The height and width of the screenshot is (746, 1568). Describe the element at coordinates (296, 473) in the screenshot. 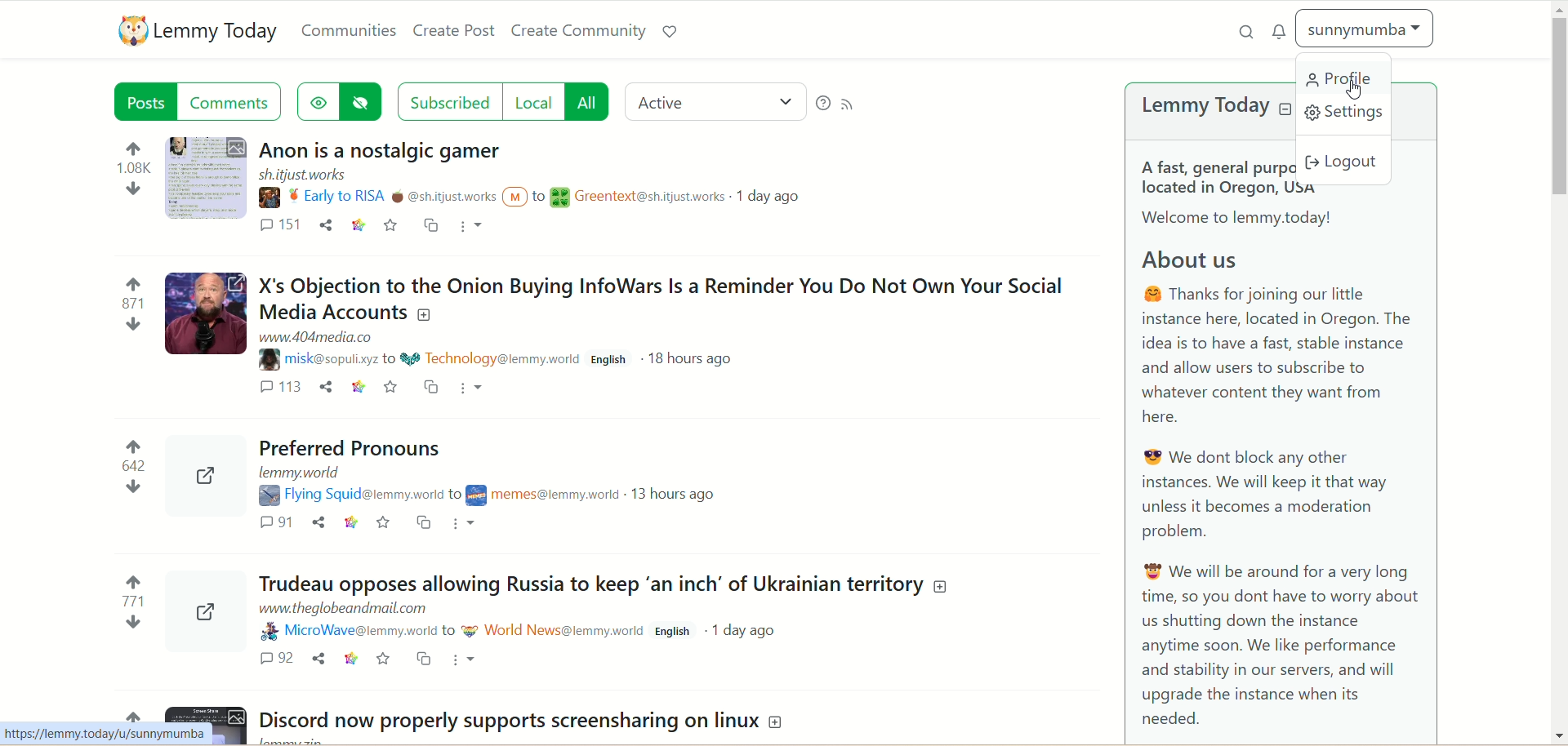

I see `URL` at that location.